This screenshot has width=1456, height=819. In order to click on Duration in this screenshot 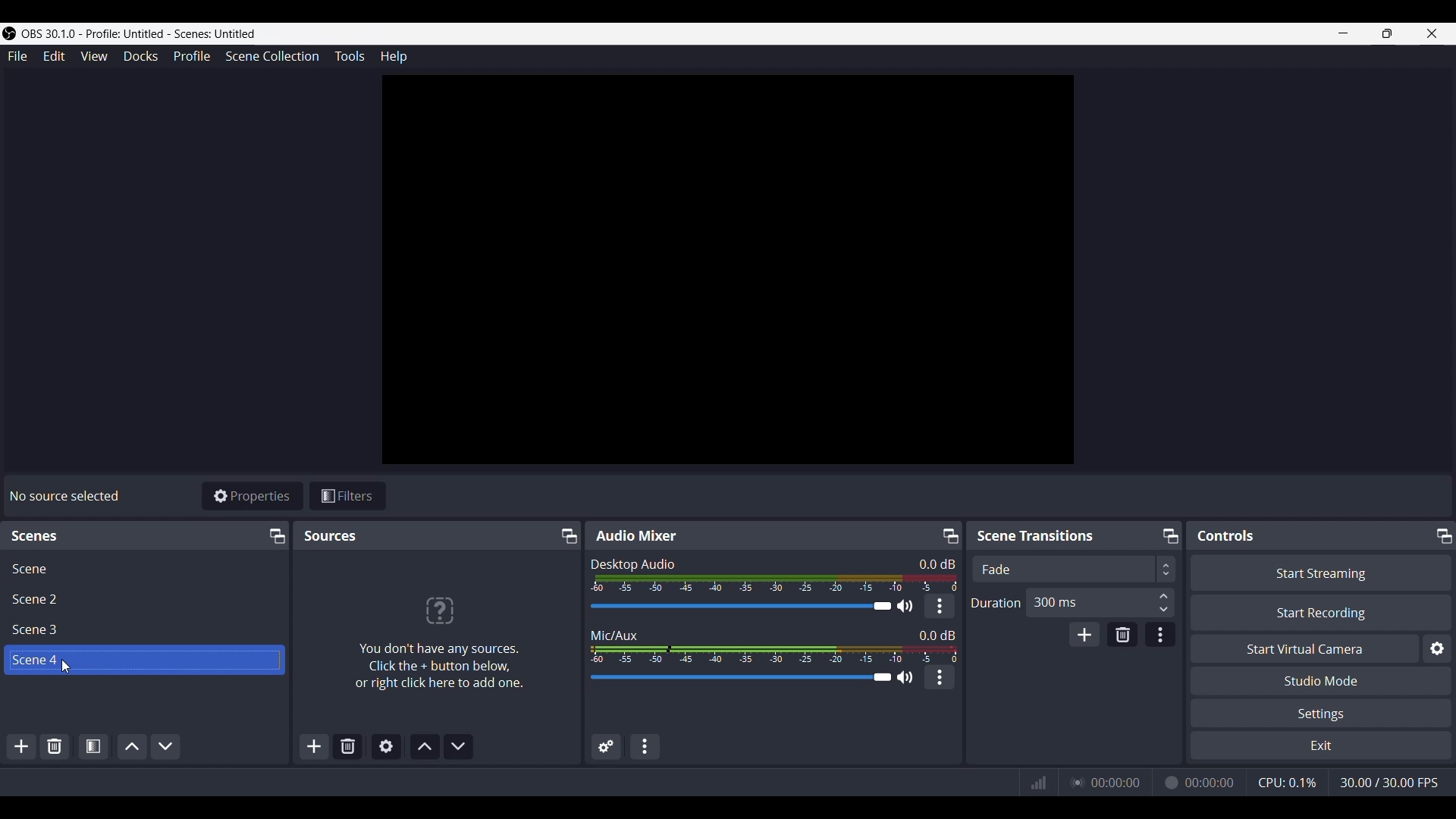, I will do `click(996, 604)`.